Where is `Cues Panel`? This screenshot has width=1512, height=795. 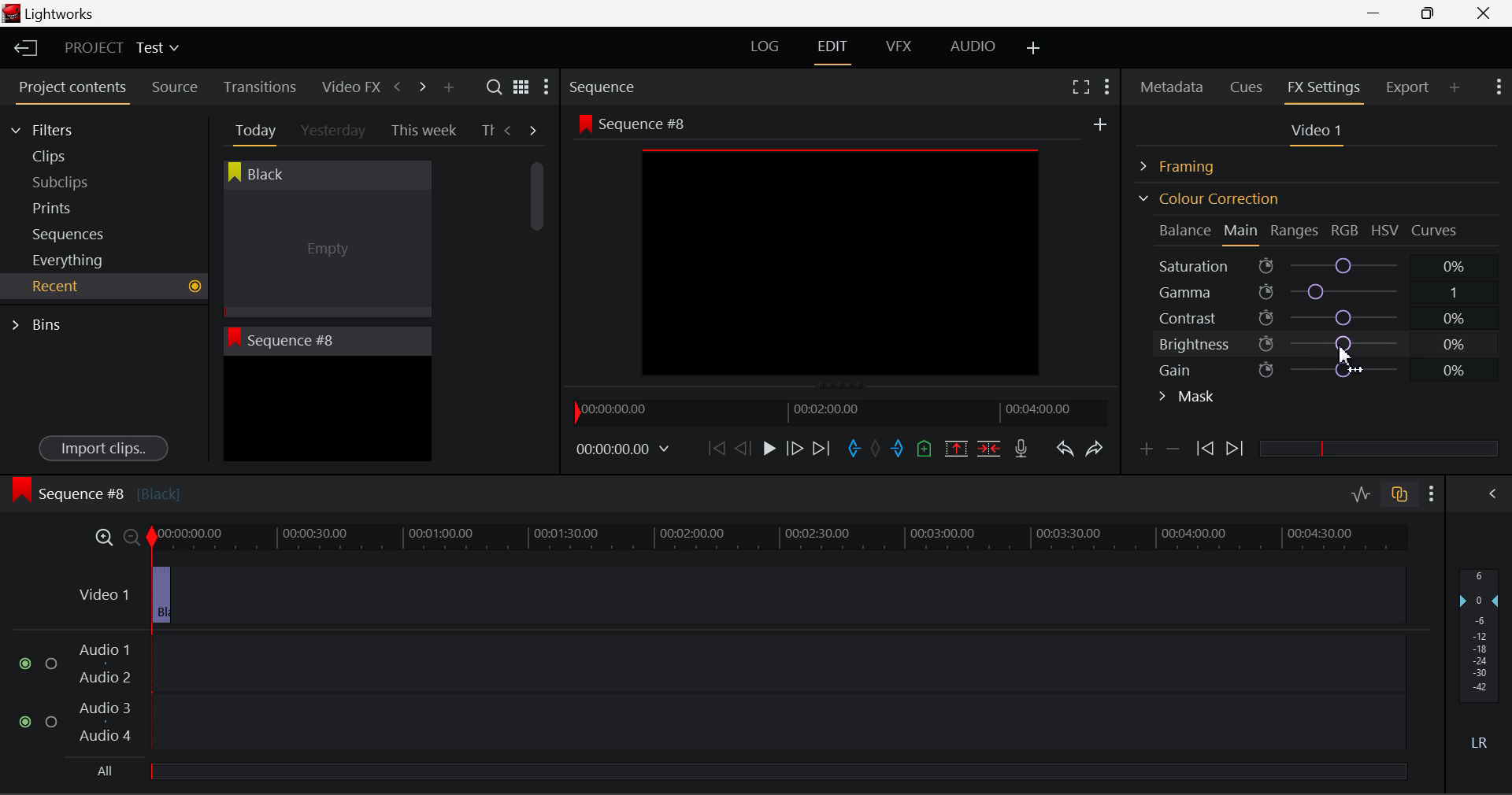
Cues Panel is located at coordinates (1248, 85).